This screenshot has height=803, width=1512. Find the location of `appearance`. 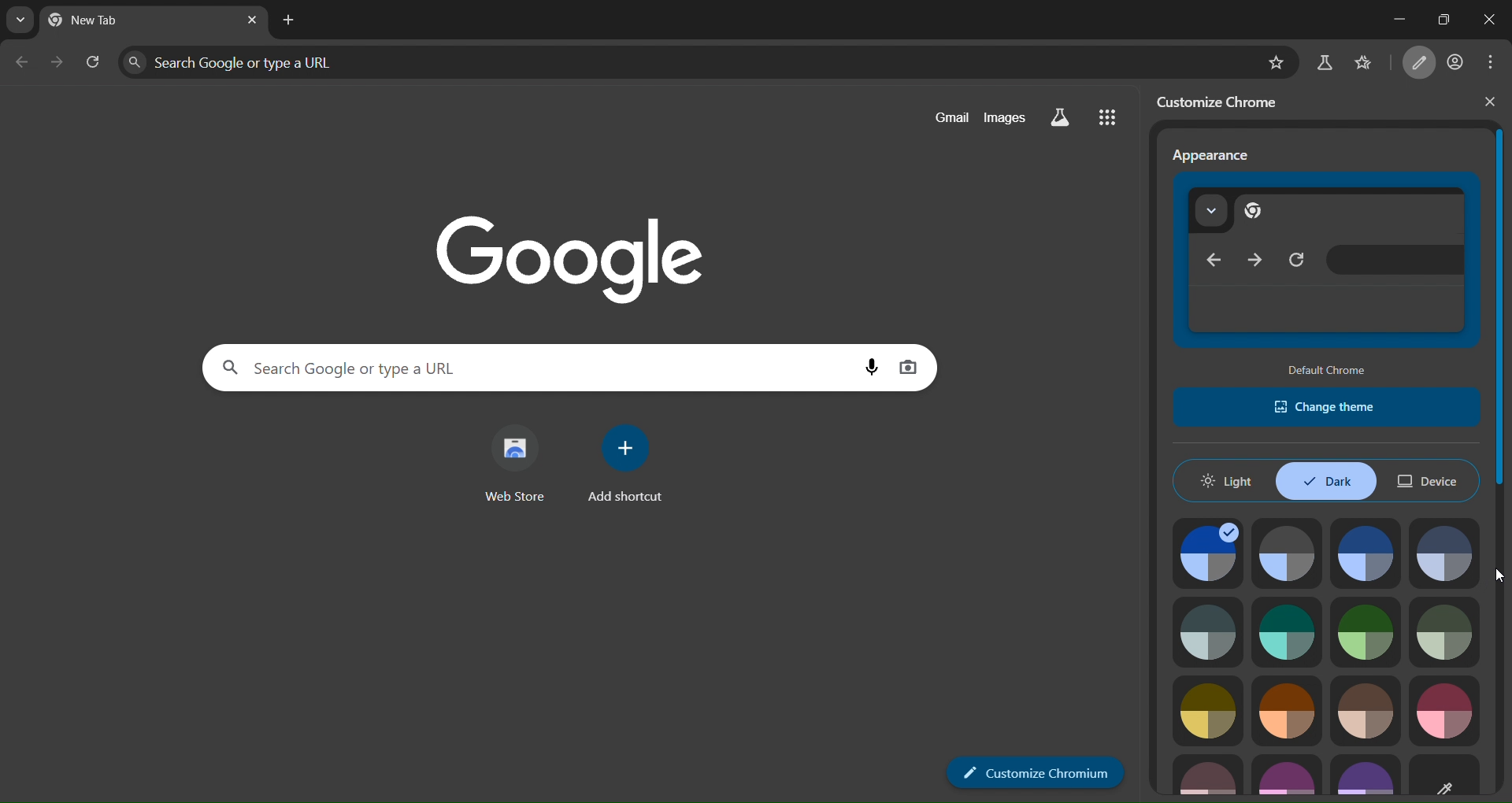

appearance is located at coordinates (1327, 260).